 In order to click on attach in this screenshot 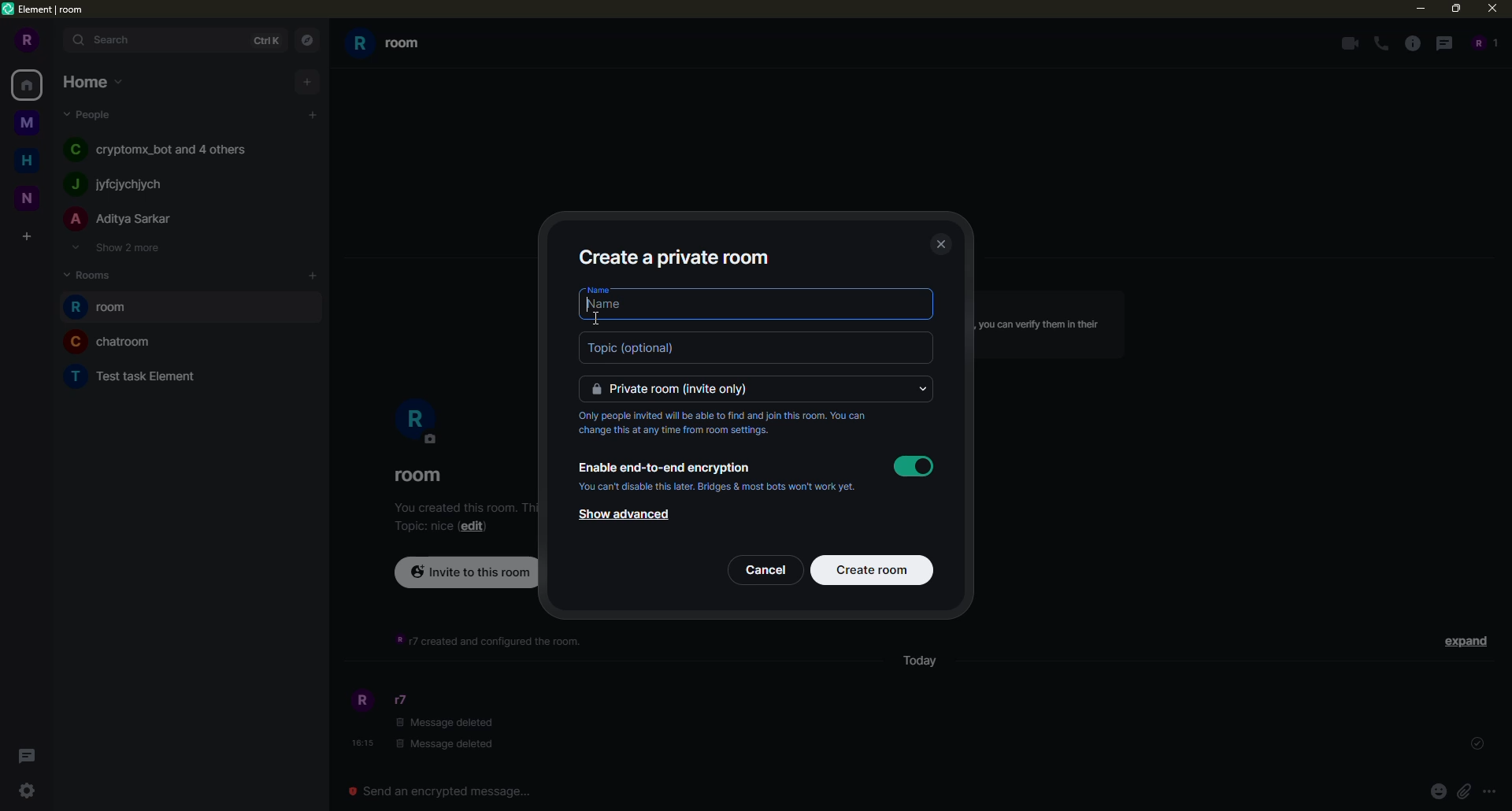, I will do `click(1465, 791)`.